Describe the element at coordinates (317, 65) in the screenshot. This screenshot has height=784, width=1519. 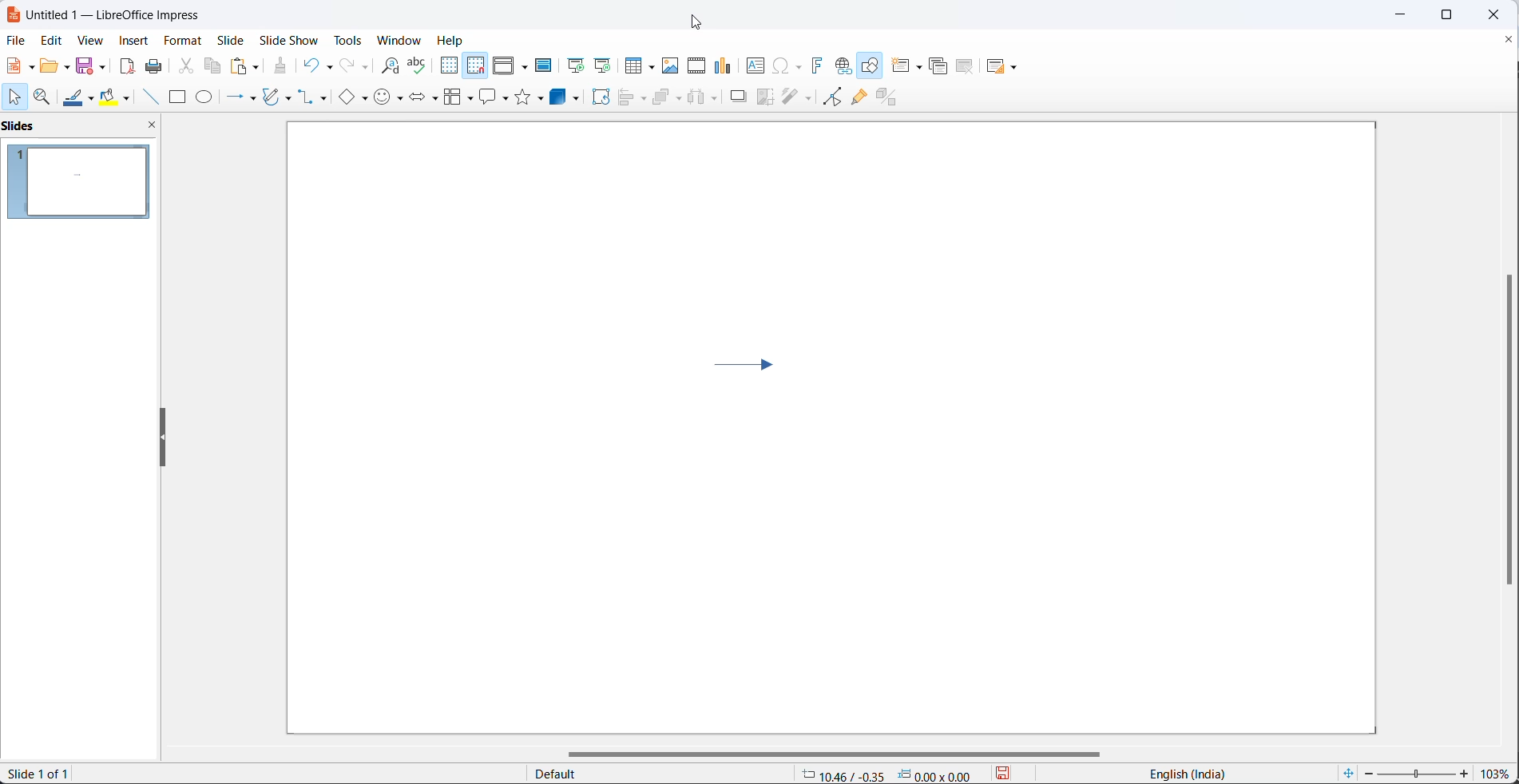
I see `undo` at that location.